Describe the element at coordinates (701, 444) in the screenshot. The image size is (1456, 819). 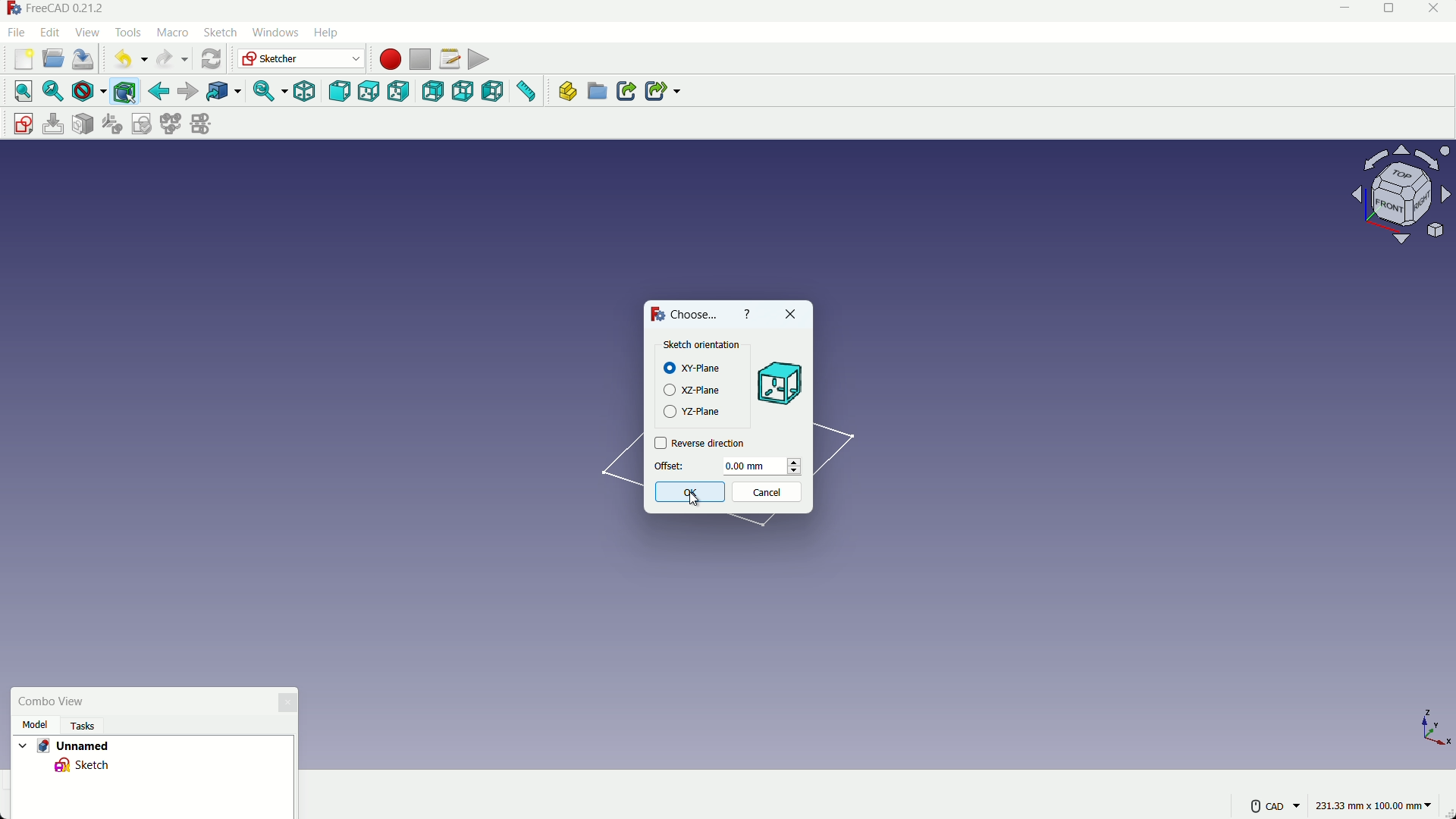
I see `reverse direction` at that location.